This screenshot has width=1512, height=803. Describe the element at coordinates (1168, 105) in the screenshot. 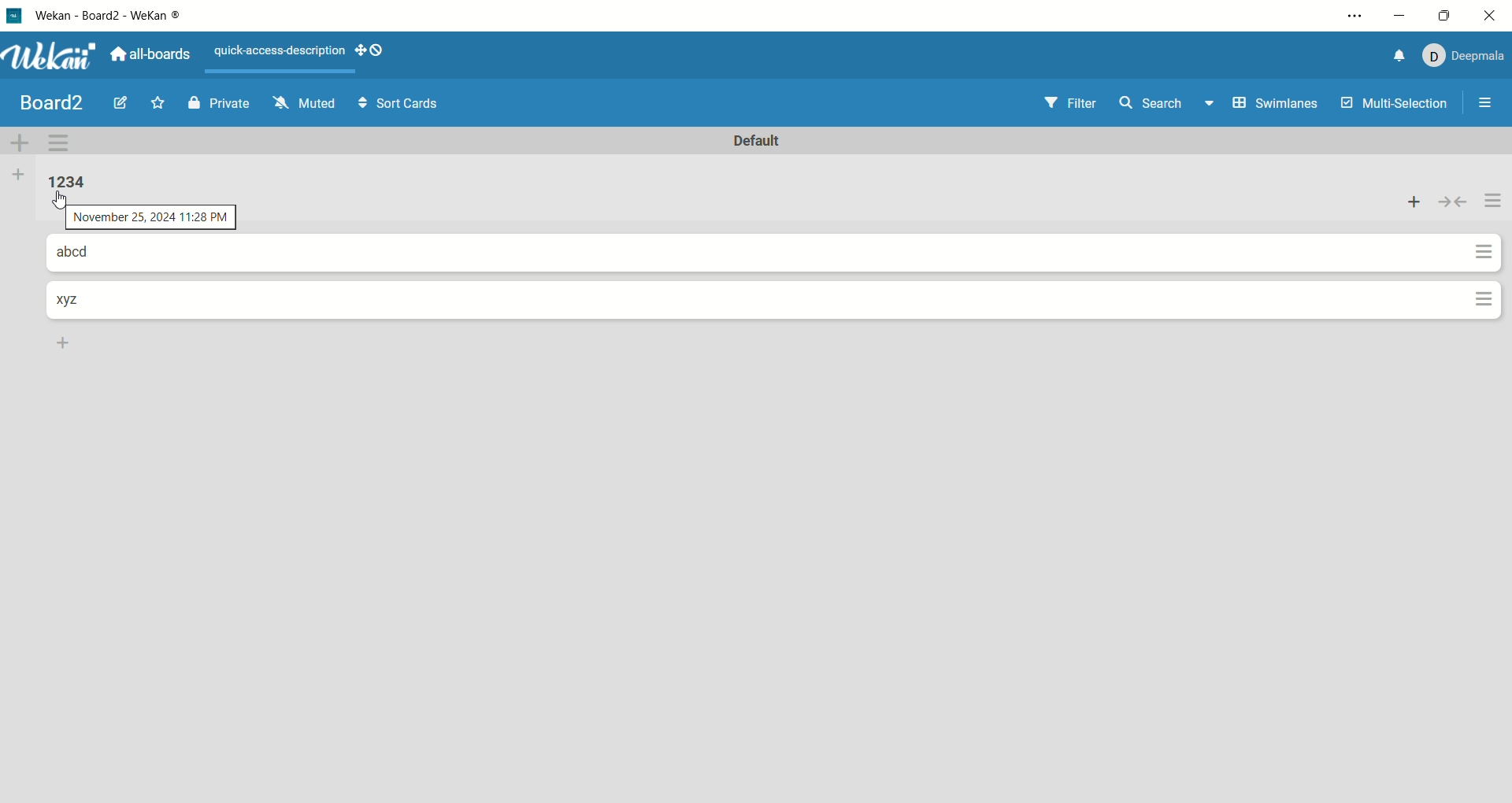

I see `search` at that location.